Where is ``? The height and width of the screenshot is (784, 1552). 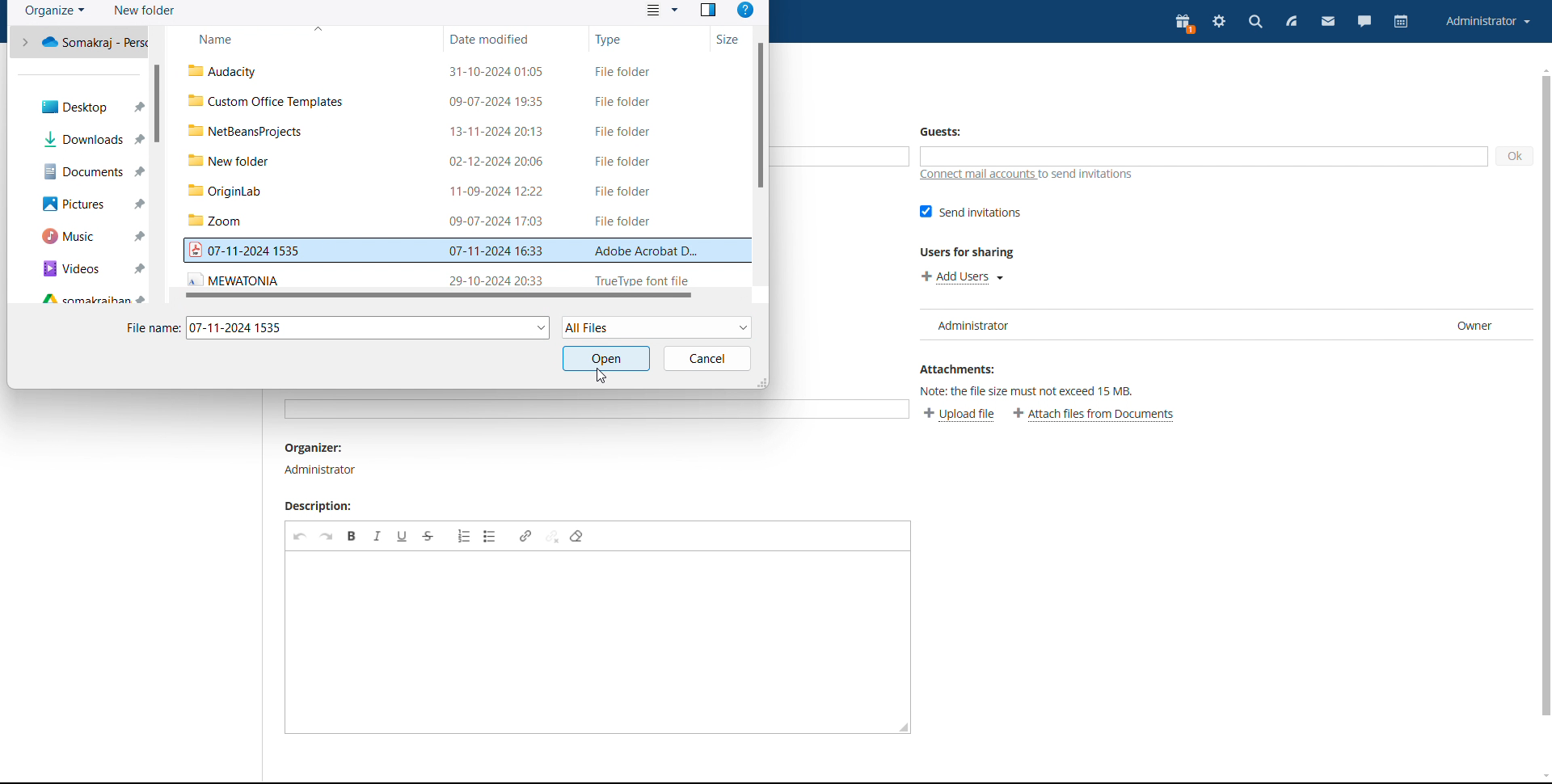  is located at coordinates (92, 239).